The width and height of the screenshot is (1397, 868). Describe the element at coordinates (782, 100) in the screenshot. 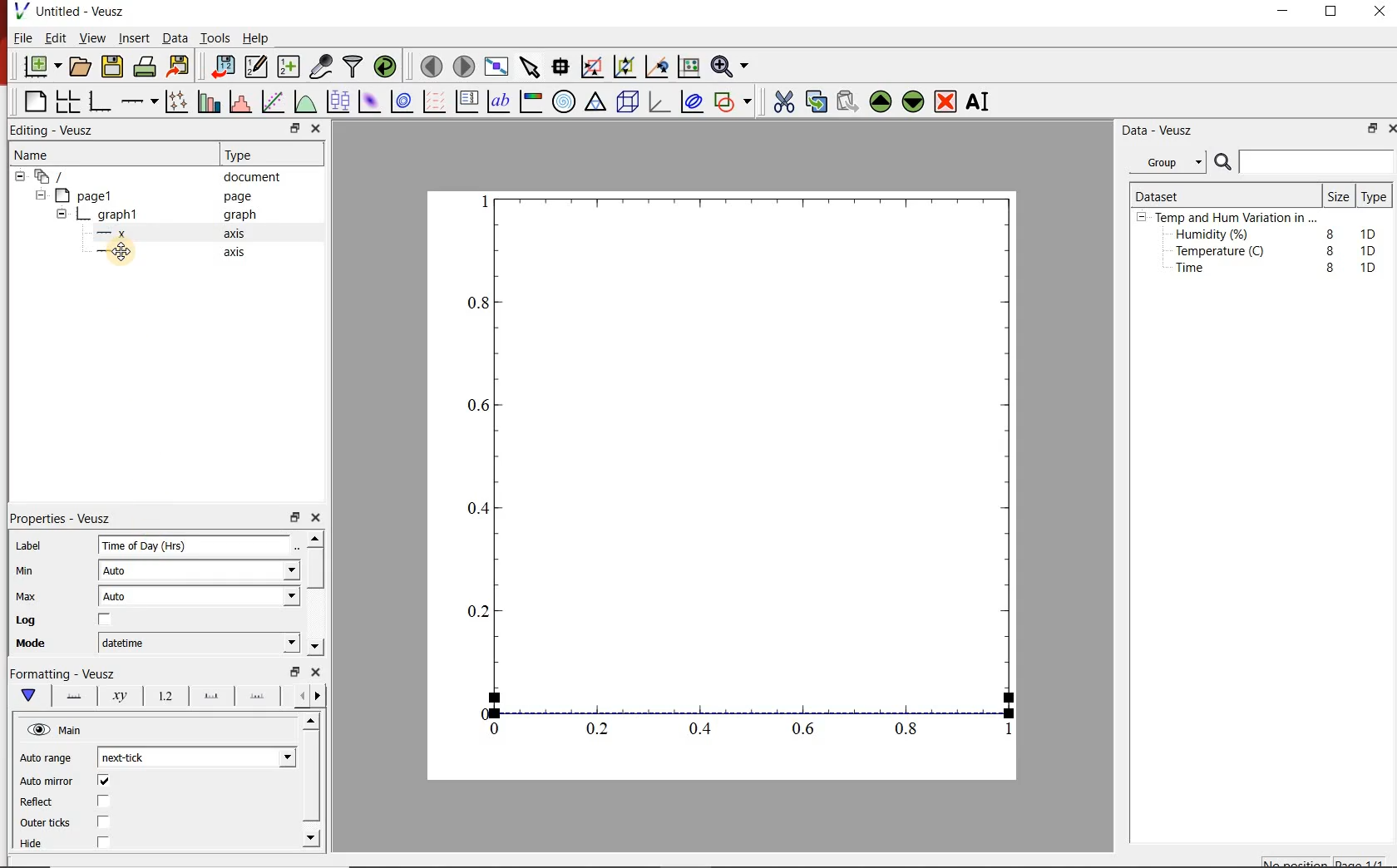

I see `cut the selected widget` at that location.